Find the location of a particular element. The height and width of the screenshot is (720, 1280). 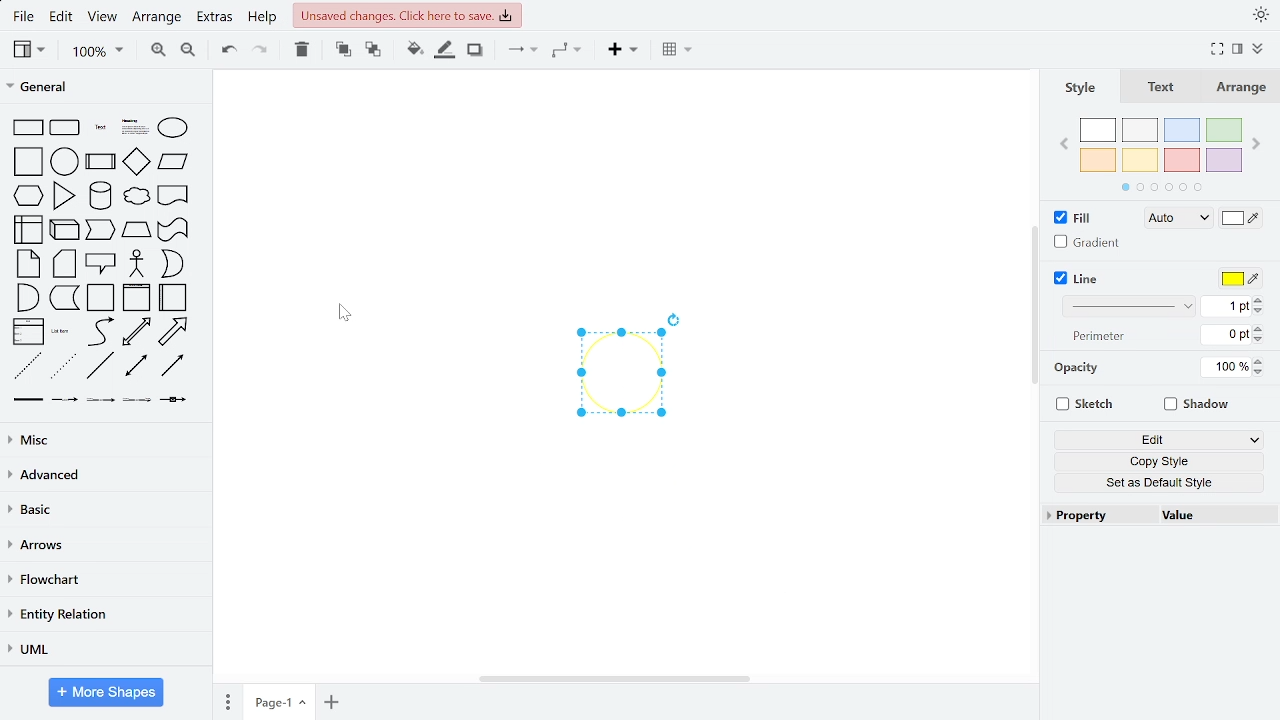

list is located at coordinates (29, 332).